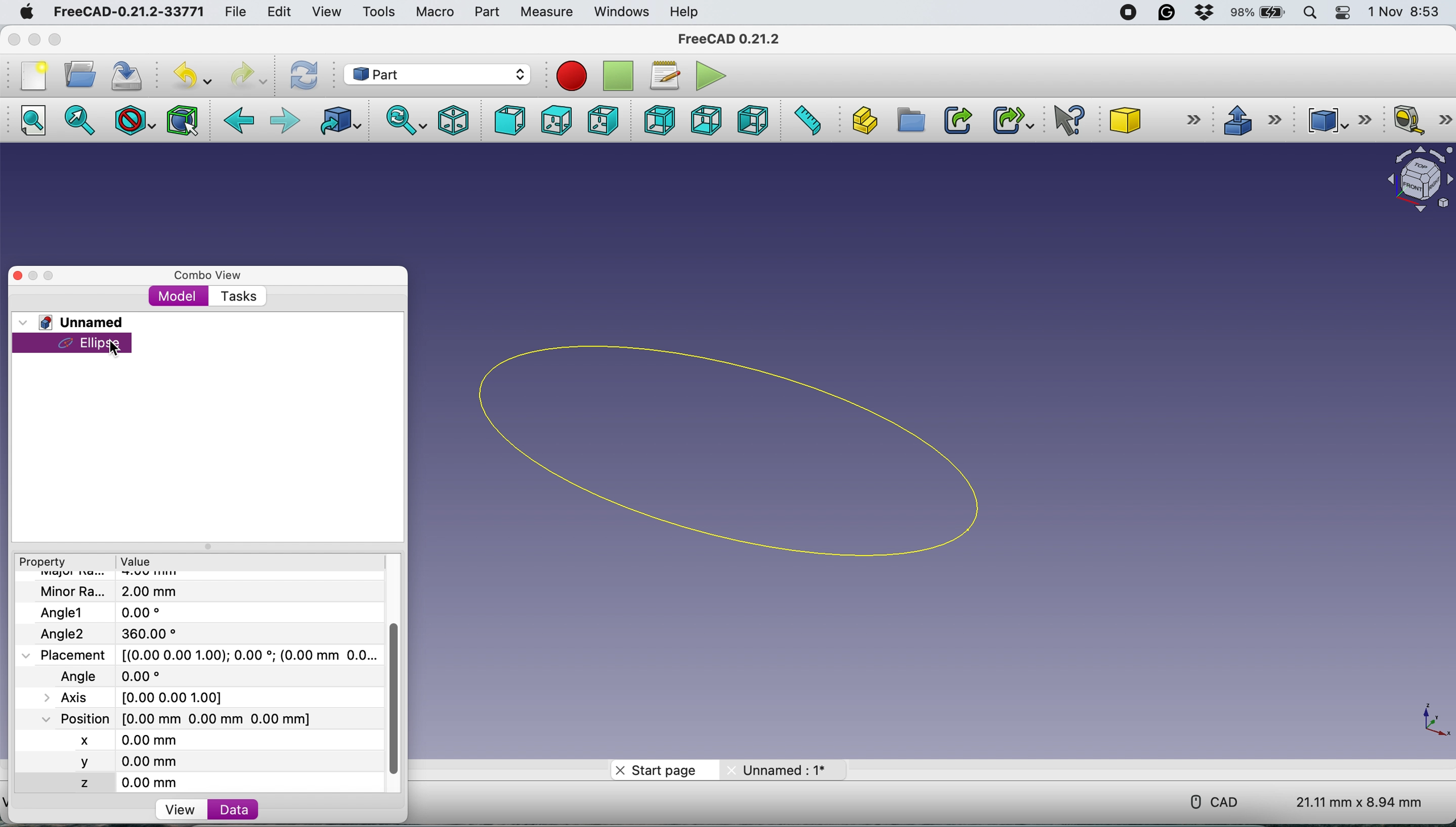 This screenshot has height=827, width=1456. What do you see at coordinates (688, 11) in the screenshot?
I see `help` at bounding box center [688, 11].